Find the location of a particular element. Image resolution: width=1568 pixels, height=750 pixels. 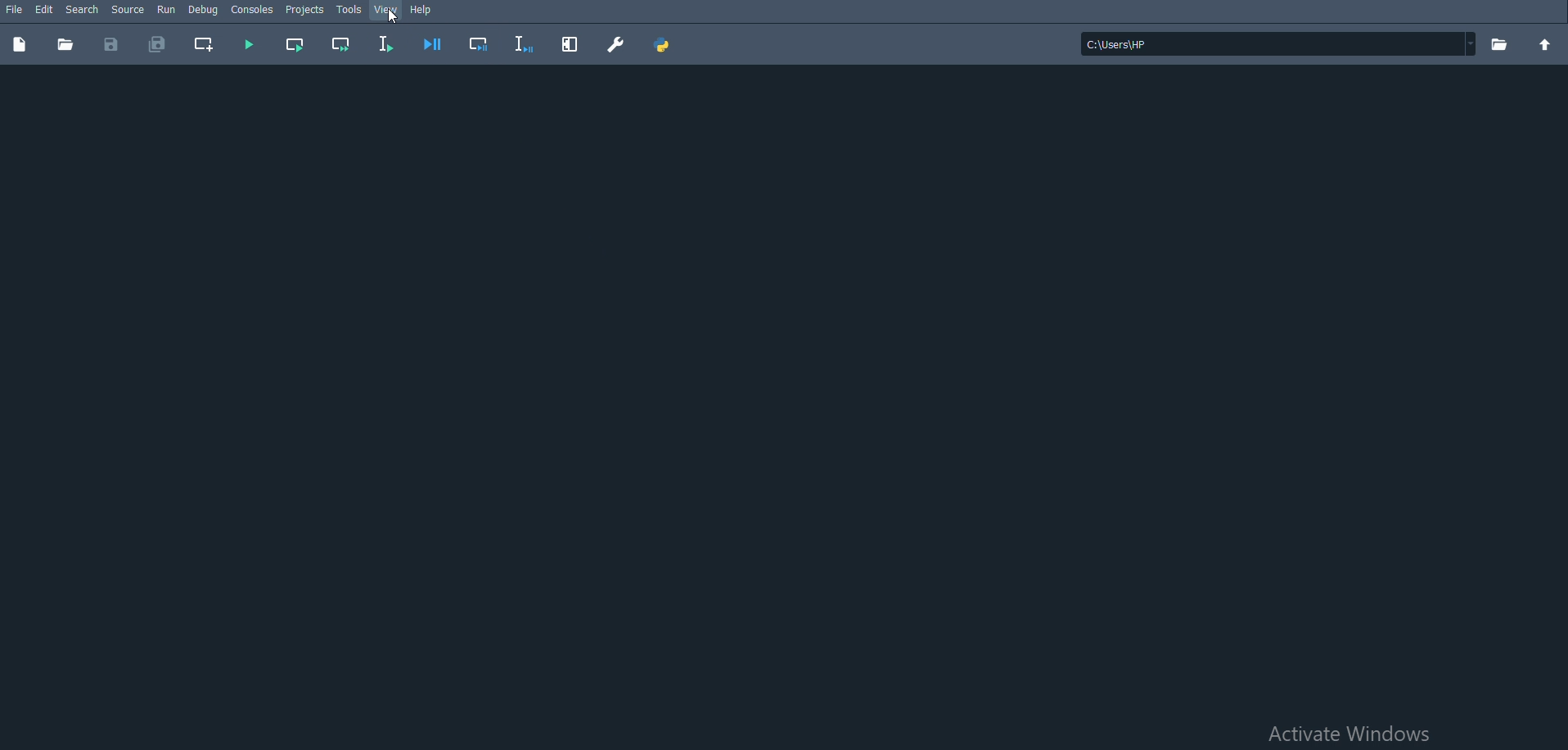

PYTHONPATH manager is located at coordinates (663, 43).